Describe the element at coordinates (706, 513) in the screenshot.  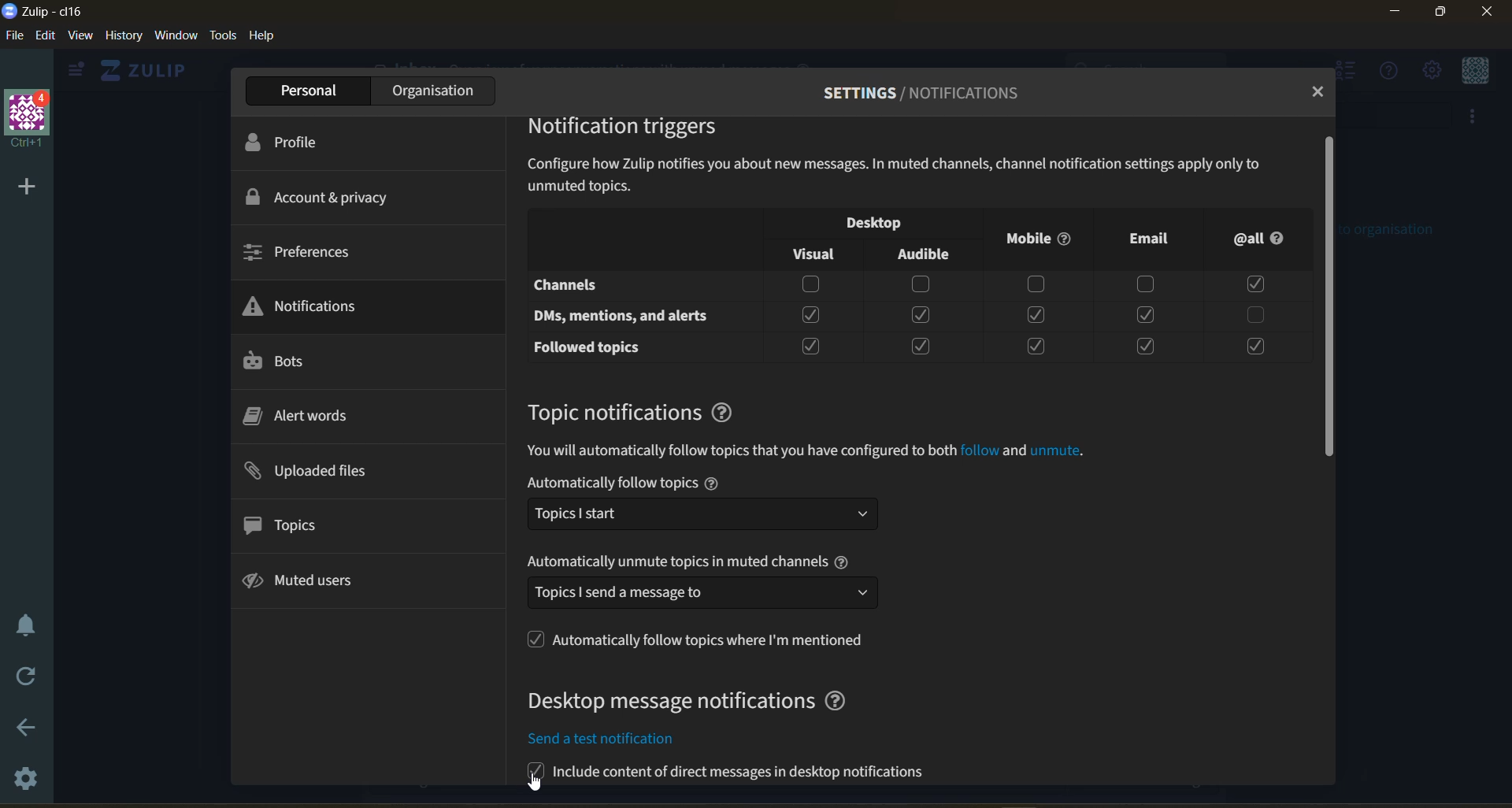
I see `Topic dropdown` at that location.